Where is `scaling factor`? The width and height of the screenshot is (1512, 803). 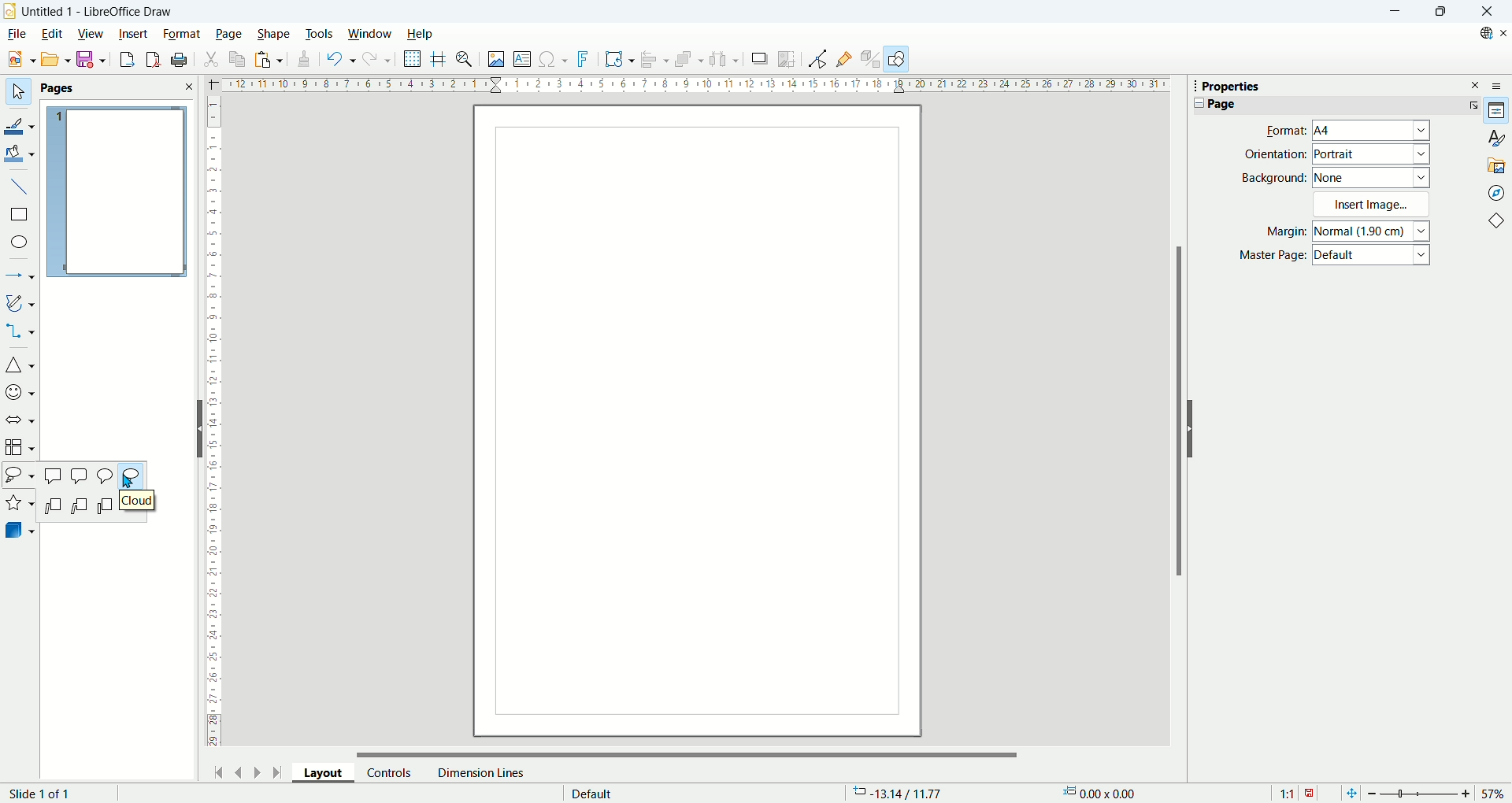 scaling factor is located at coordinates (1296, 792).